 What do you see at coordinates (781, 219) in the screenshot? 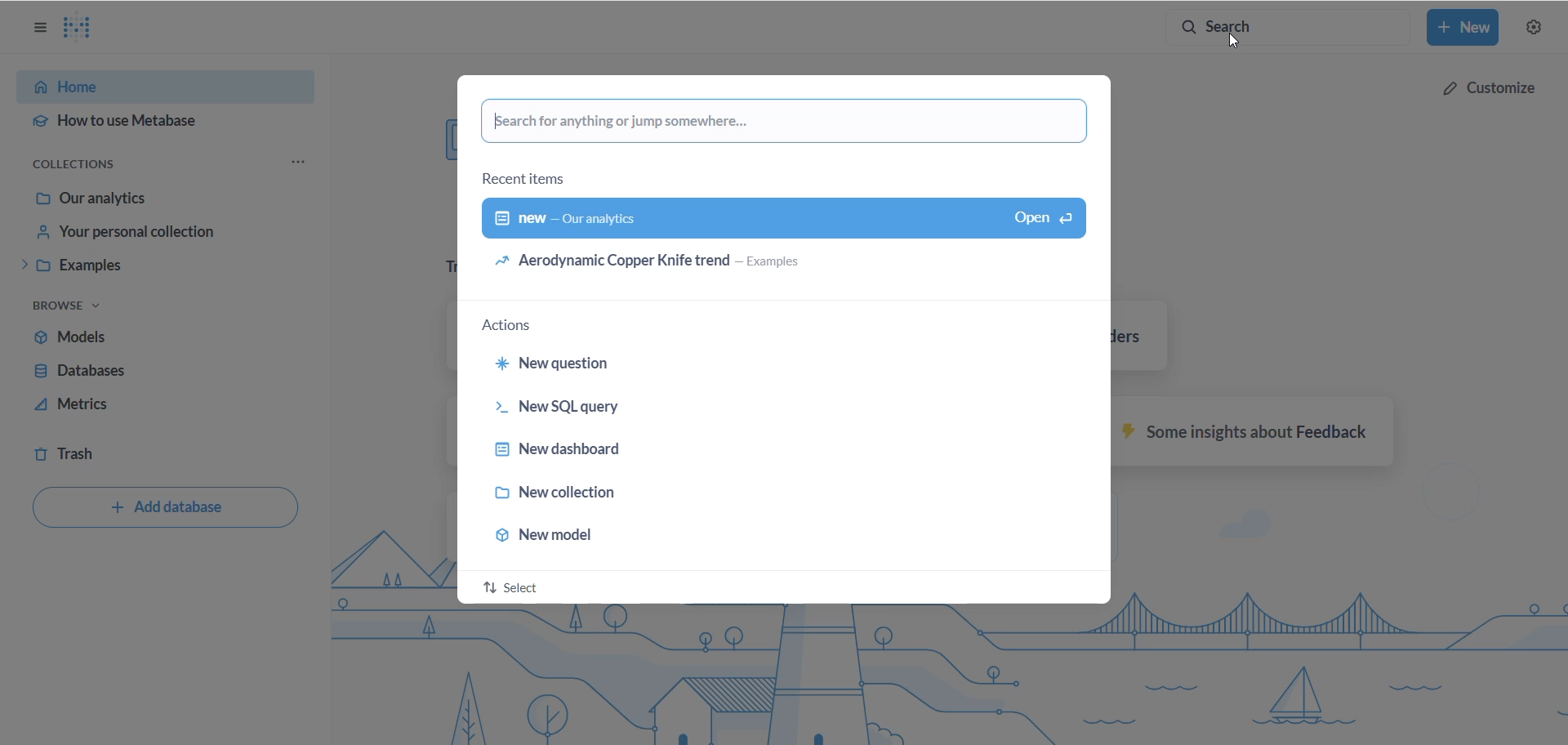
I see `new dashboard` at bounding box center [781, 219].